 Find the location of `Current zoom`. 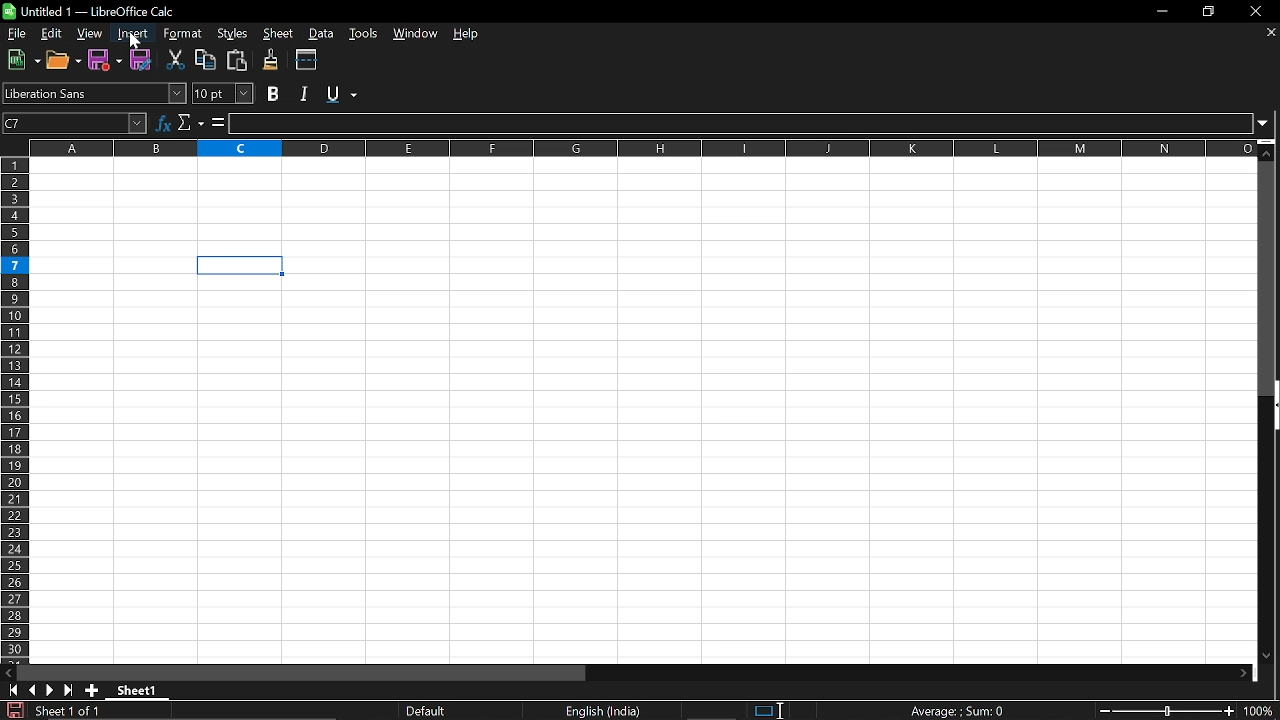

Current zoom is located at coordinates (1262, 711).